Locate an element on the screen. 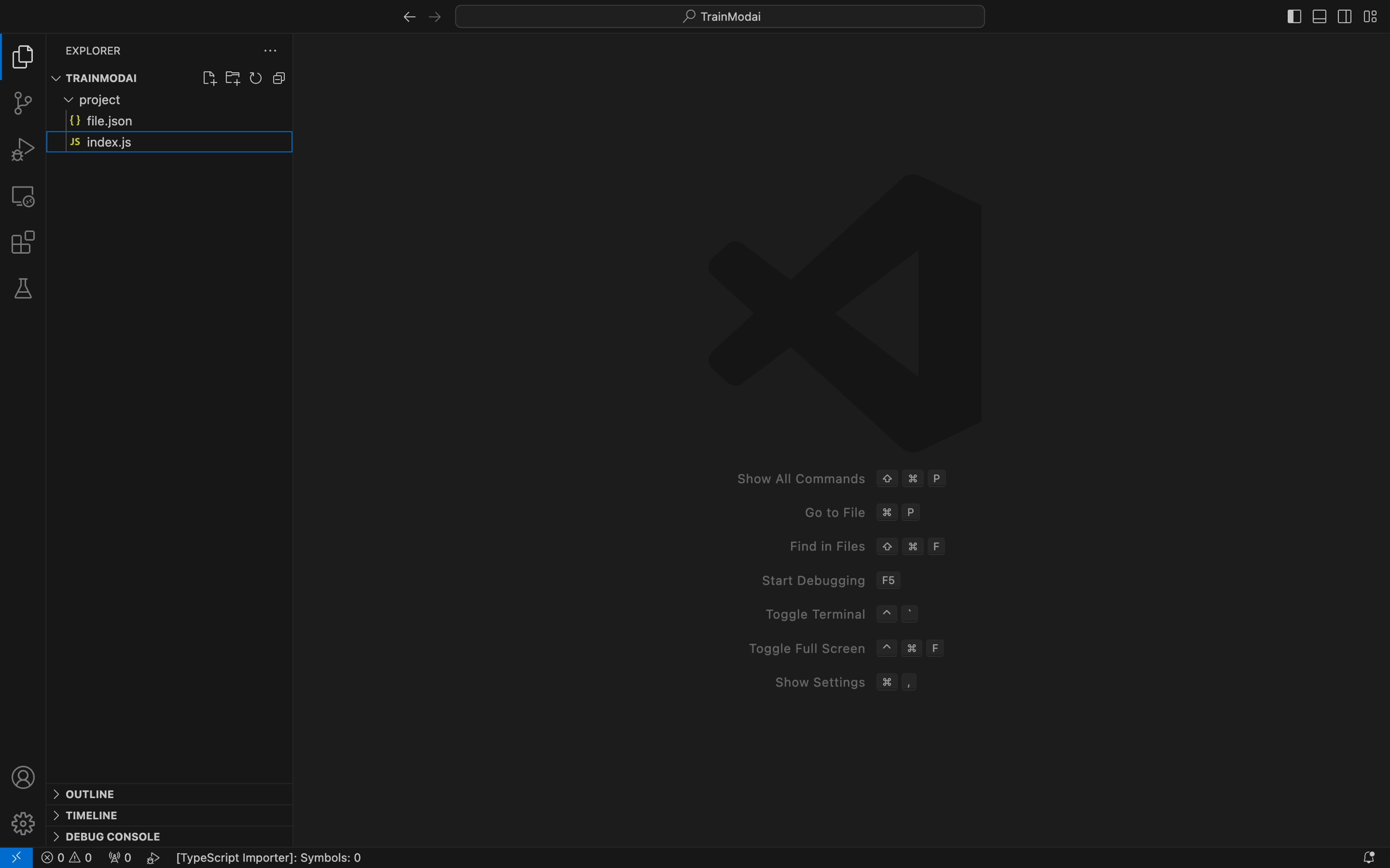 Image resolution: width=1390 pixels, height=868 pixels. Project is located at coordinates (159, 100).